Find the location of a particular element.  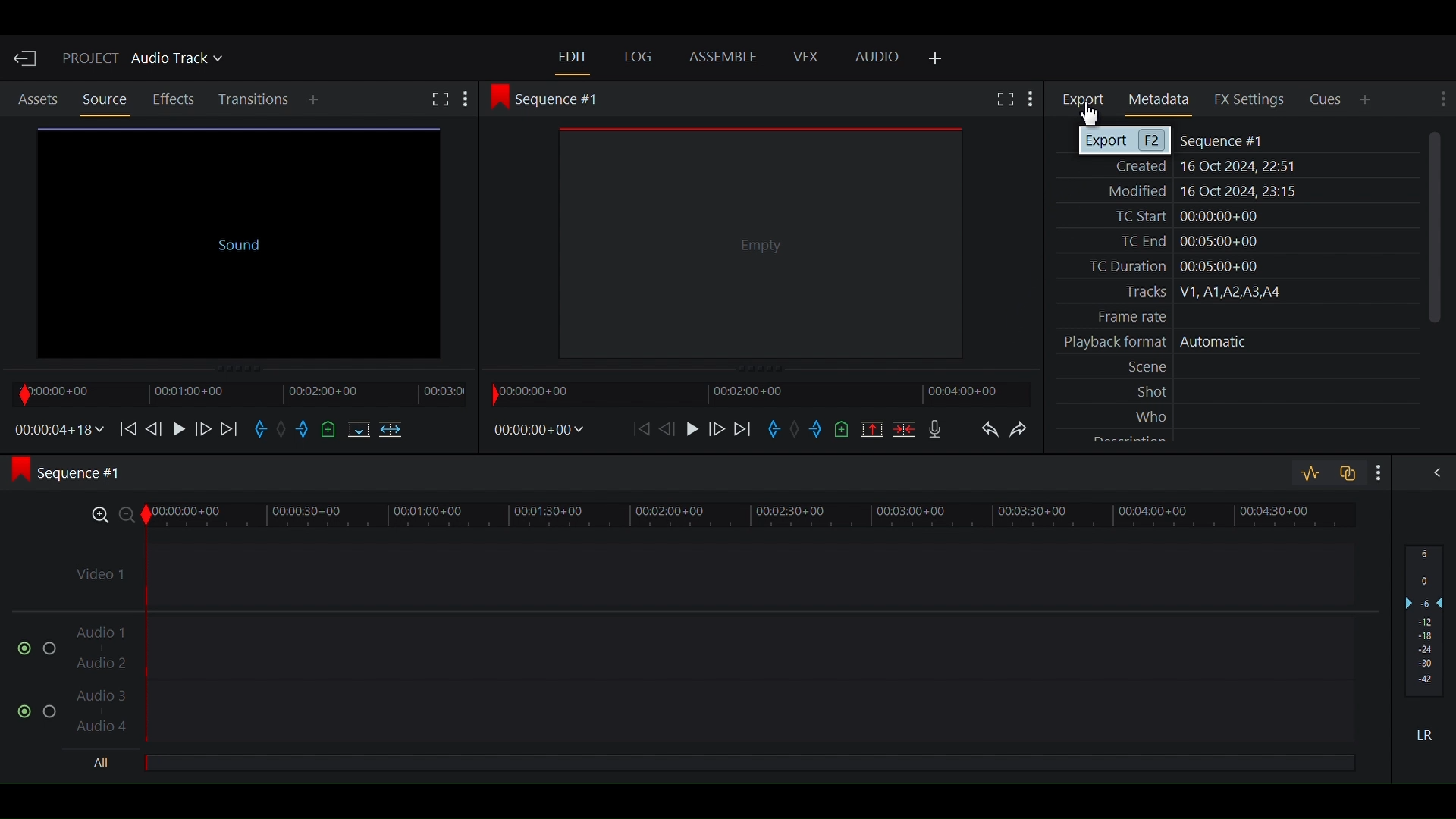

Timeline is located at coordinates (755, 393).